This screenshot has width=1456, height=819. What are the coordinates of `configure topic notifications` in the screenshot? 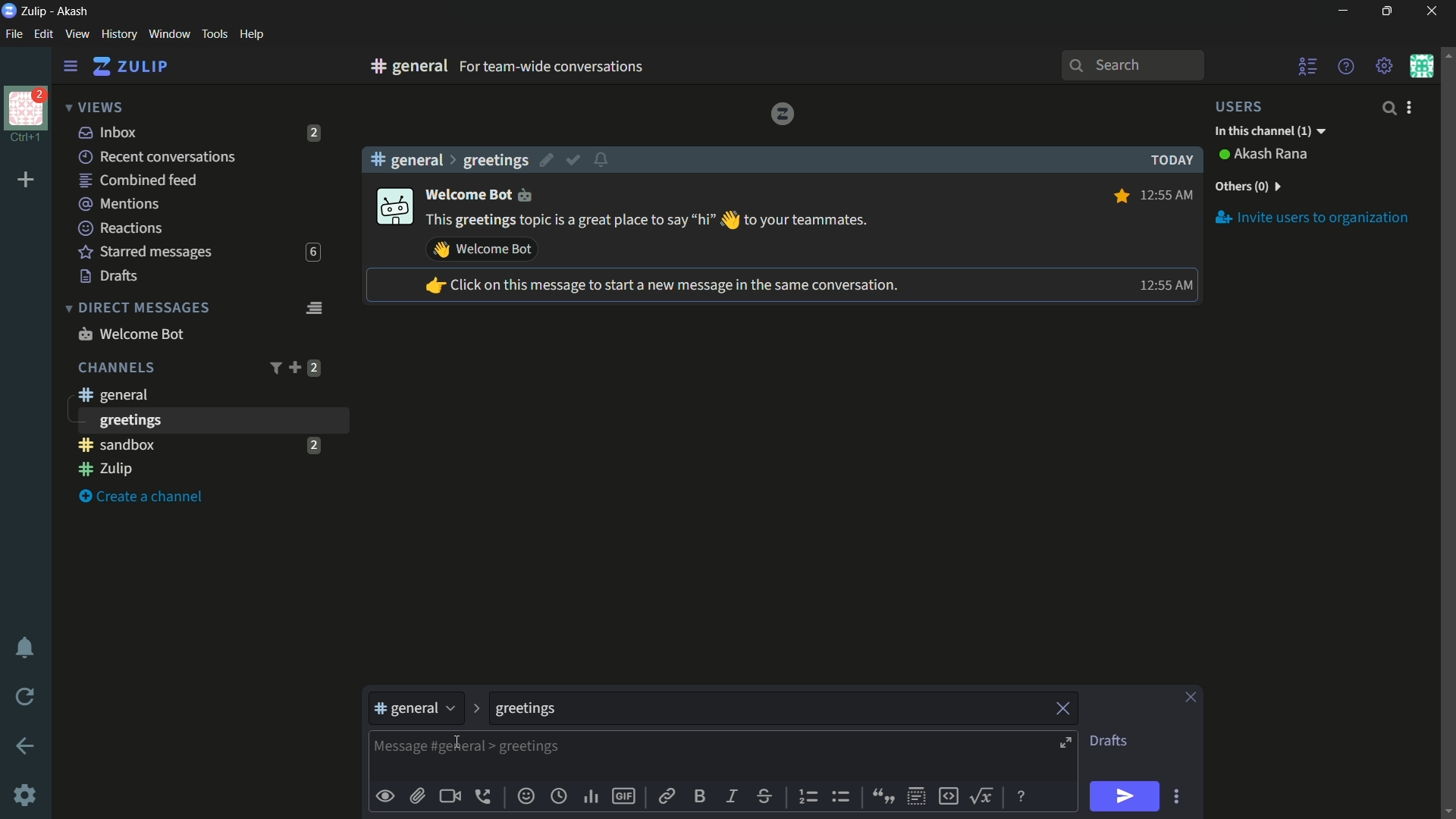 It's located at (604, 158).